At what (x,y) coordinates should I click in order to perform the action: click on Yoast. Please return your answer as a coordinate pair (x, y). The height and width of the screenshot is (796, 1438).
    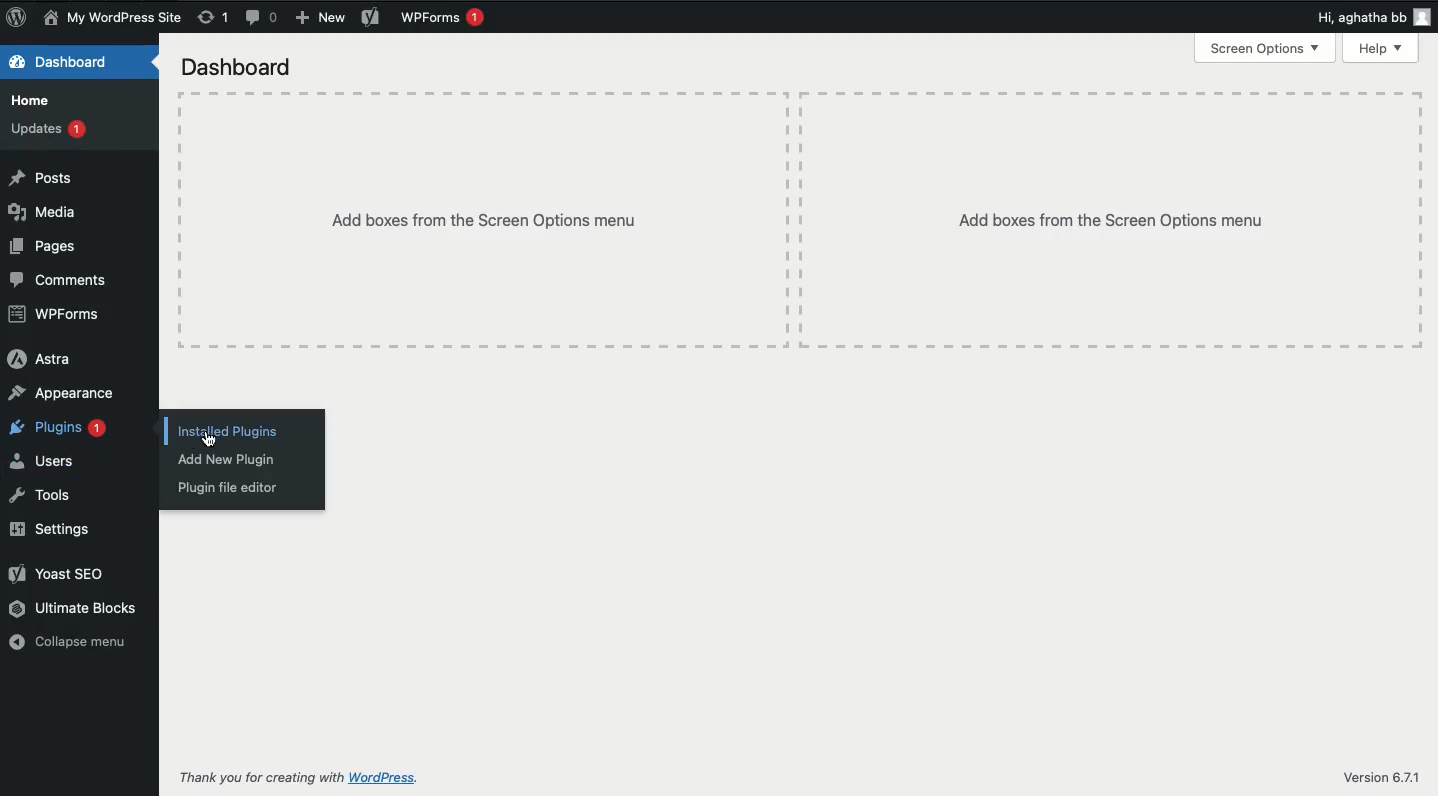
    Looking at the image, I should click on (371, 18).